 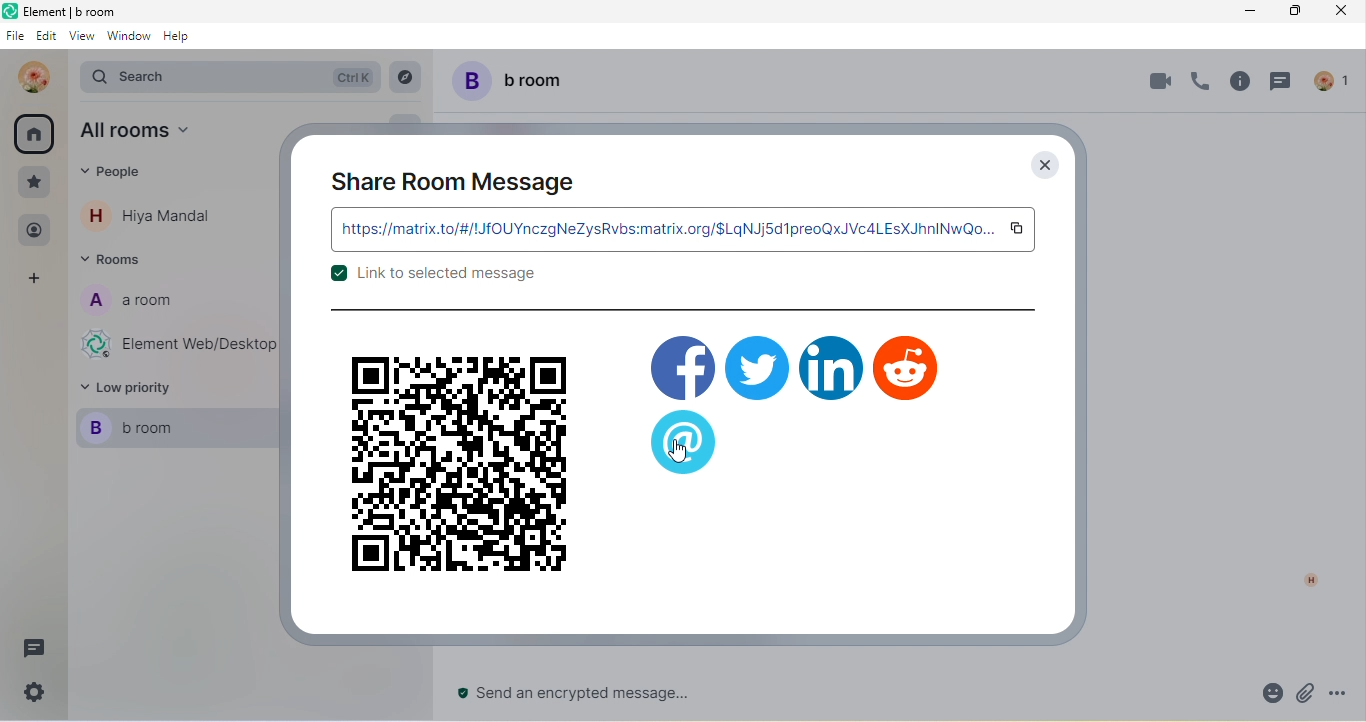 I want to click on favourite, so click(x=35, y=182).